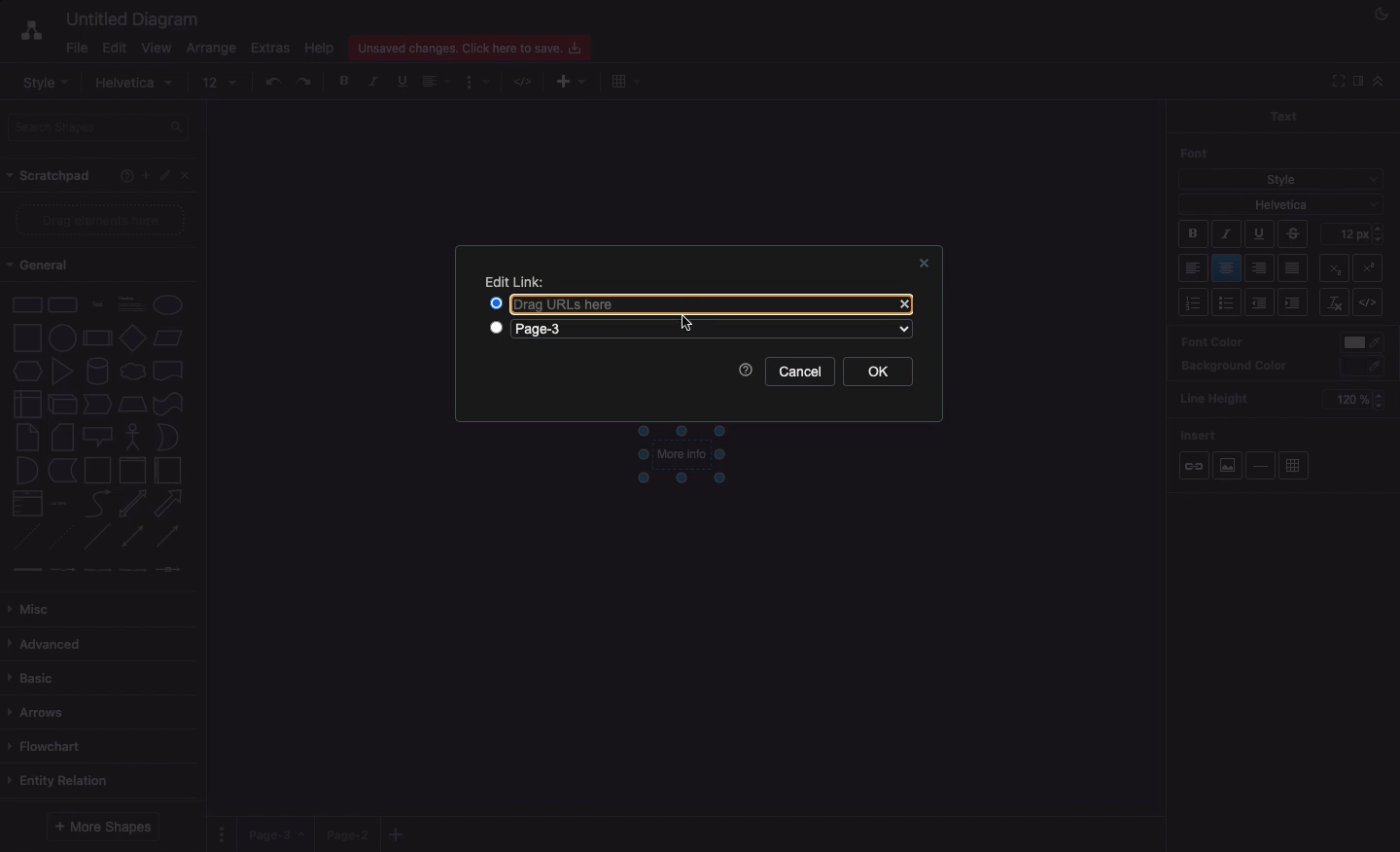 Image resolution: width=1400 pixels, height=852 pixels. What do you see at coordinates (1194, 236) in the screenshot?
I see `Bold` at bounding box center [1194, 236].